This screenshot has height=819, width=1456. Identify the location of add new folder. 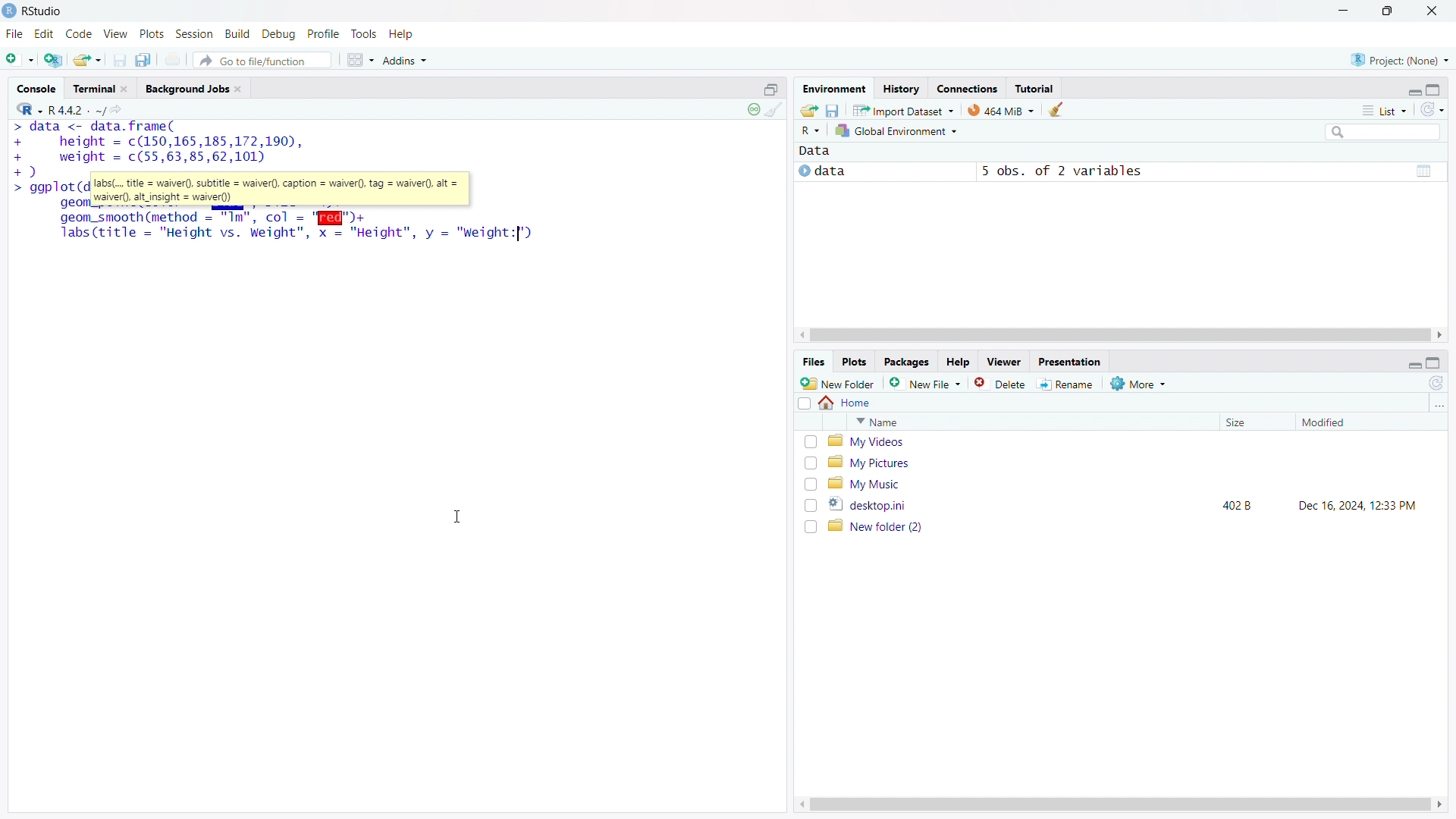
(838, 383).